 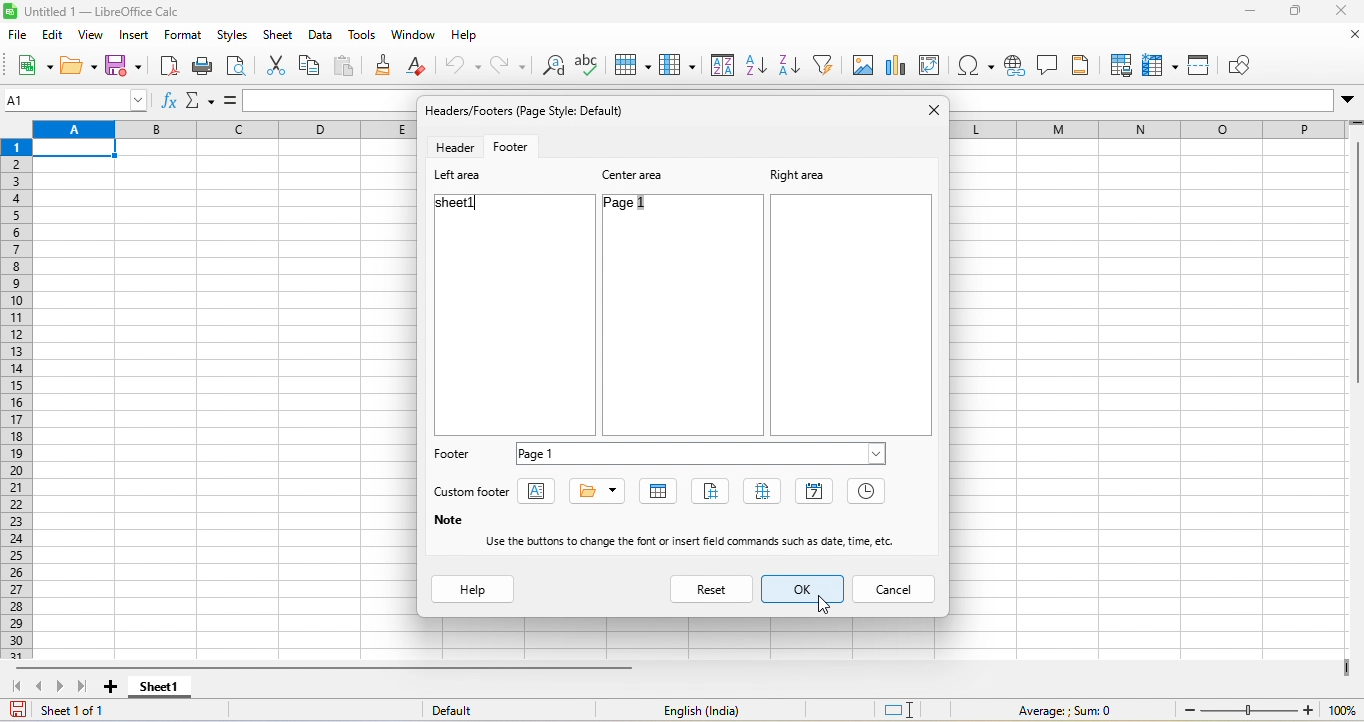 What do you see at coordinates (519, 146) in the screenshot?
I see `footer` at bounding box center [519, 146].